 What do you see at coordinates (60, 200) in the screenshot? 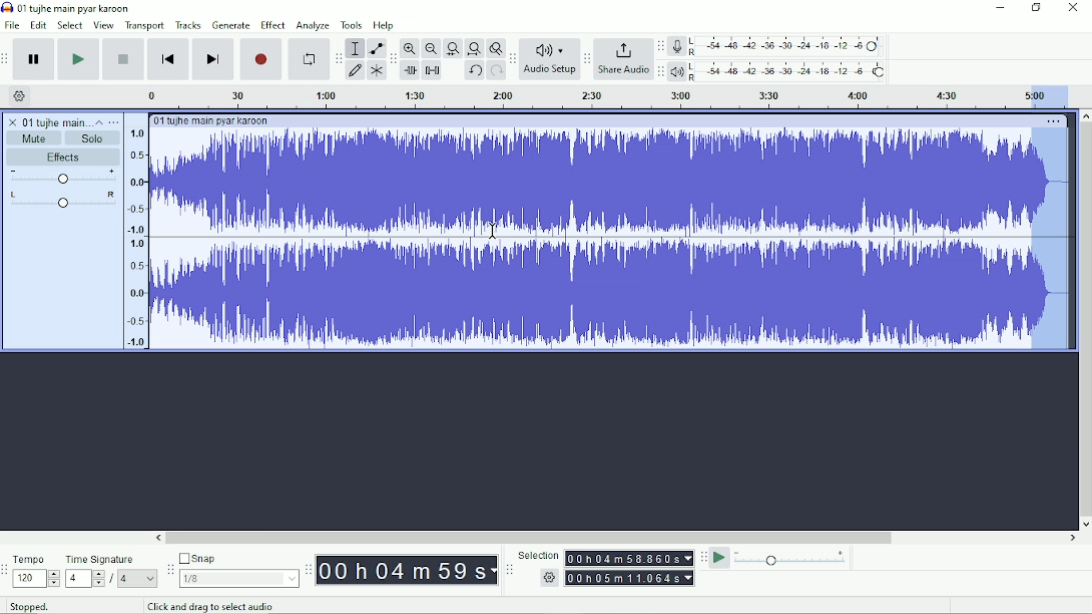
I see `Pan` at bounding box center [60, 200].